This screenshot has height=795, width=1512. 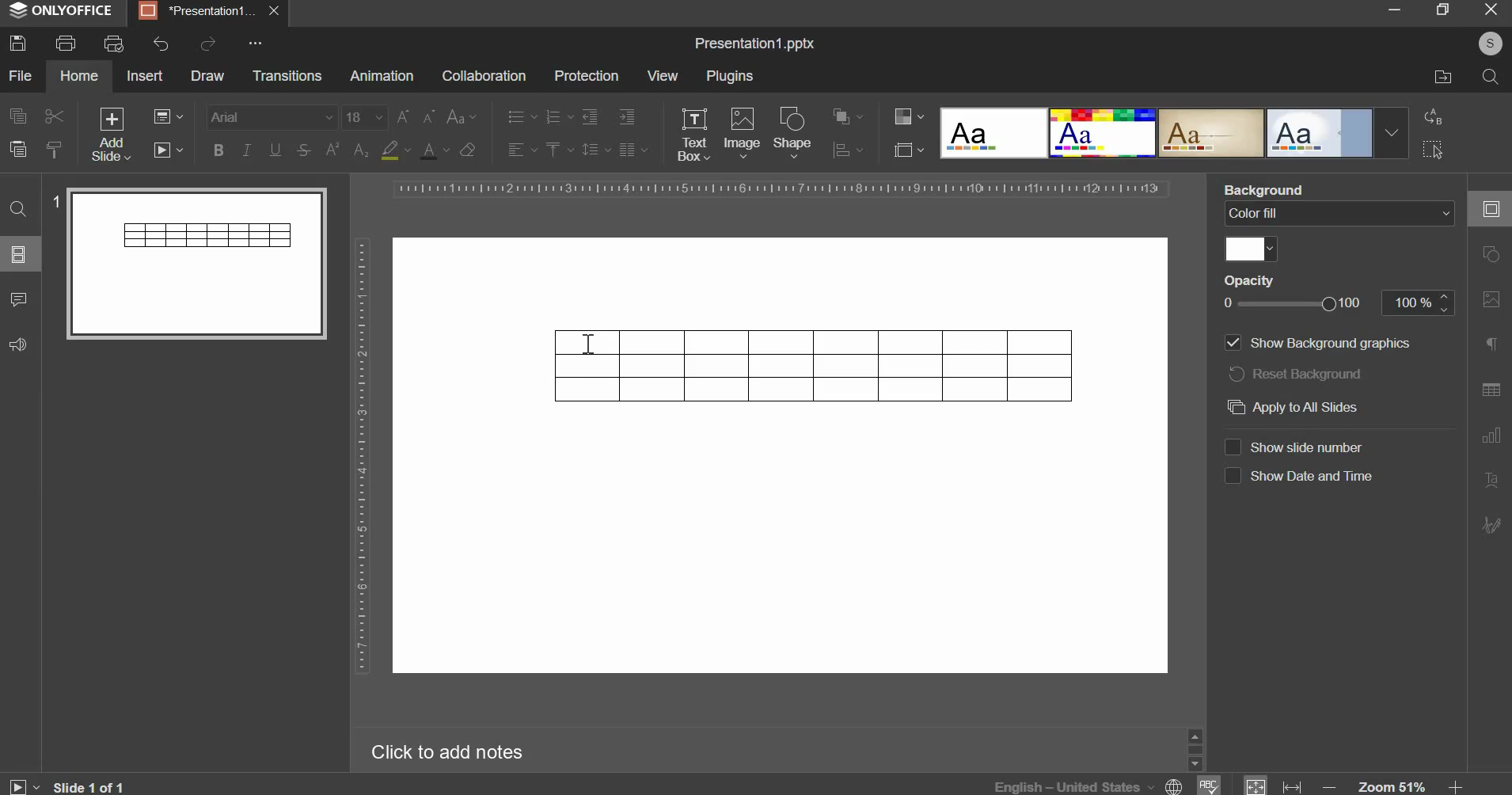 I want to click on insert, so click(x=145, y=74).